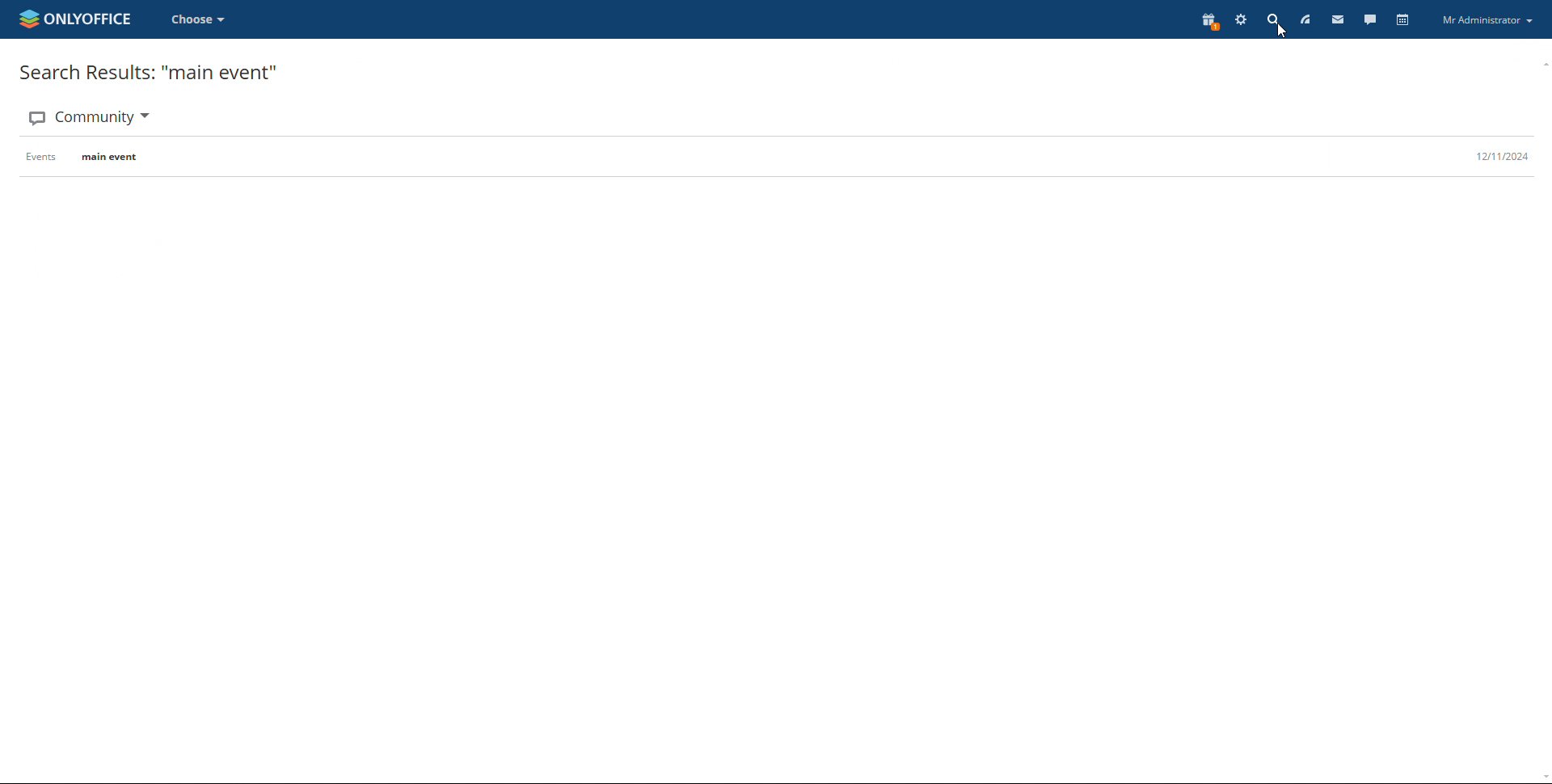  Describe the element at coordinates (73, 19) in the screenshot. I see `onlyoffice logo` at that location.